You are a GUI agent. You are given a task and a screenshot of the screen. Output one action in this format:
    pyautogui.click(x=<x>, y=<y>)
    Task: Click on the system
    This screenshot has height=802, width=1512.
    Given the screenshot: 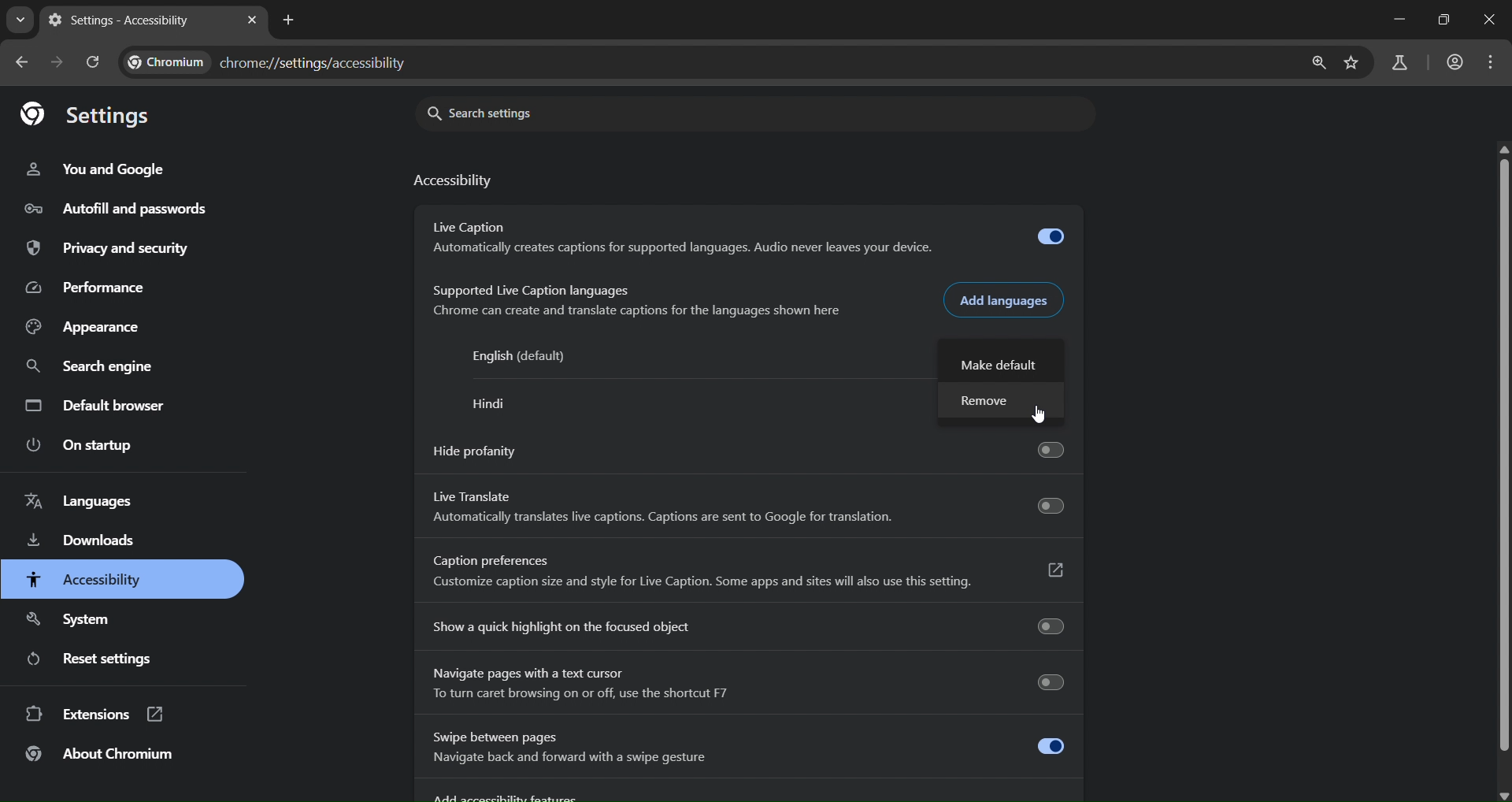 What is the action you would take?
    pyautogui.click(x=74, y=618)
    